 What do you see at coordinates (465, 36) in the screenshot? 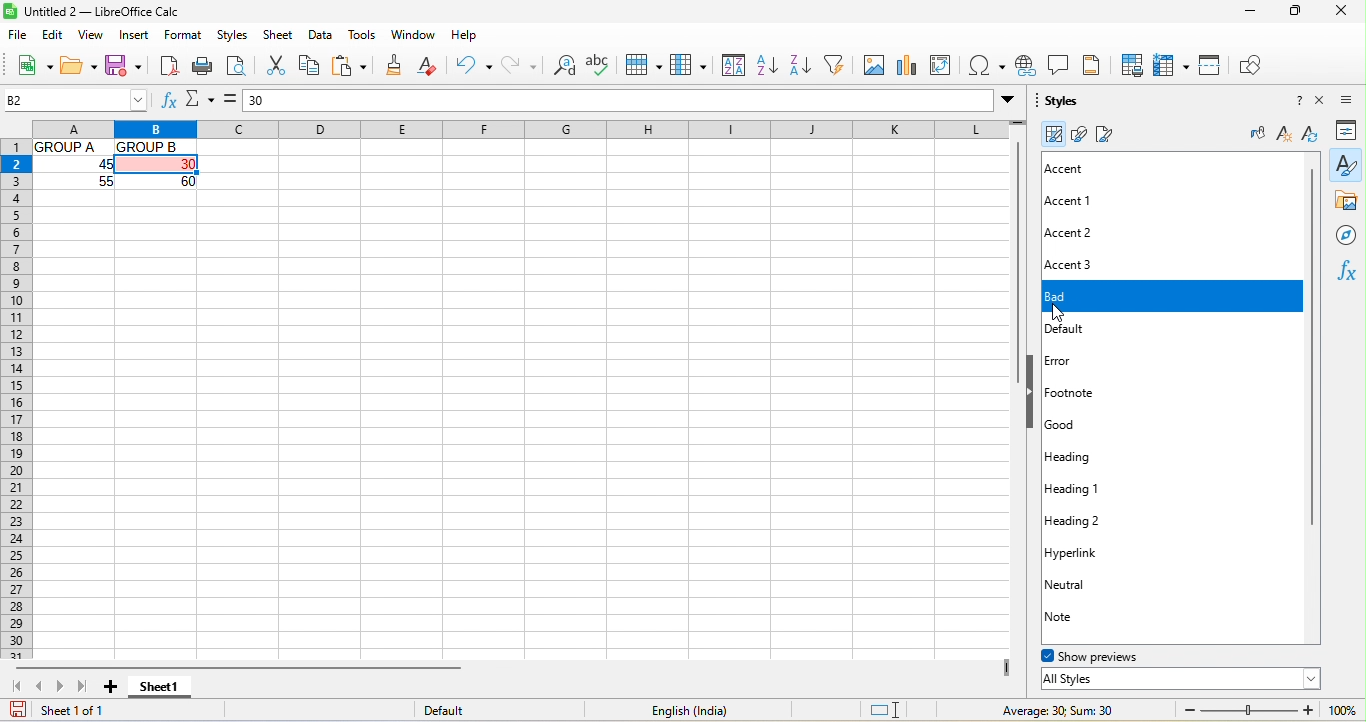
I see `help` at bounding box center [465, 36].